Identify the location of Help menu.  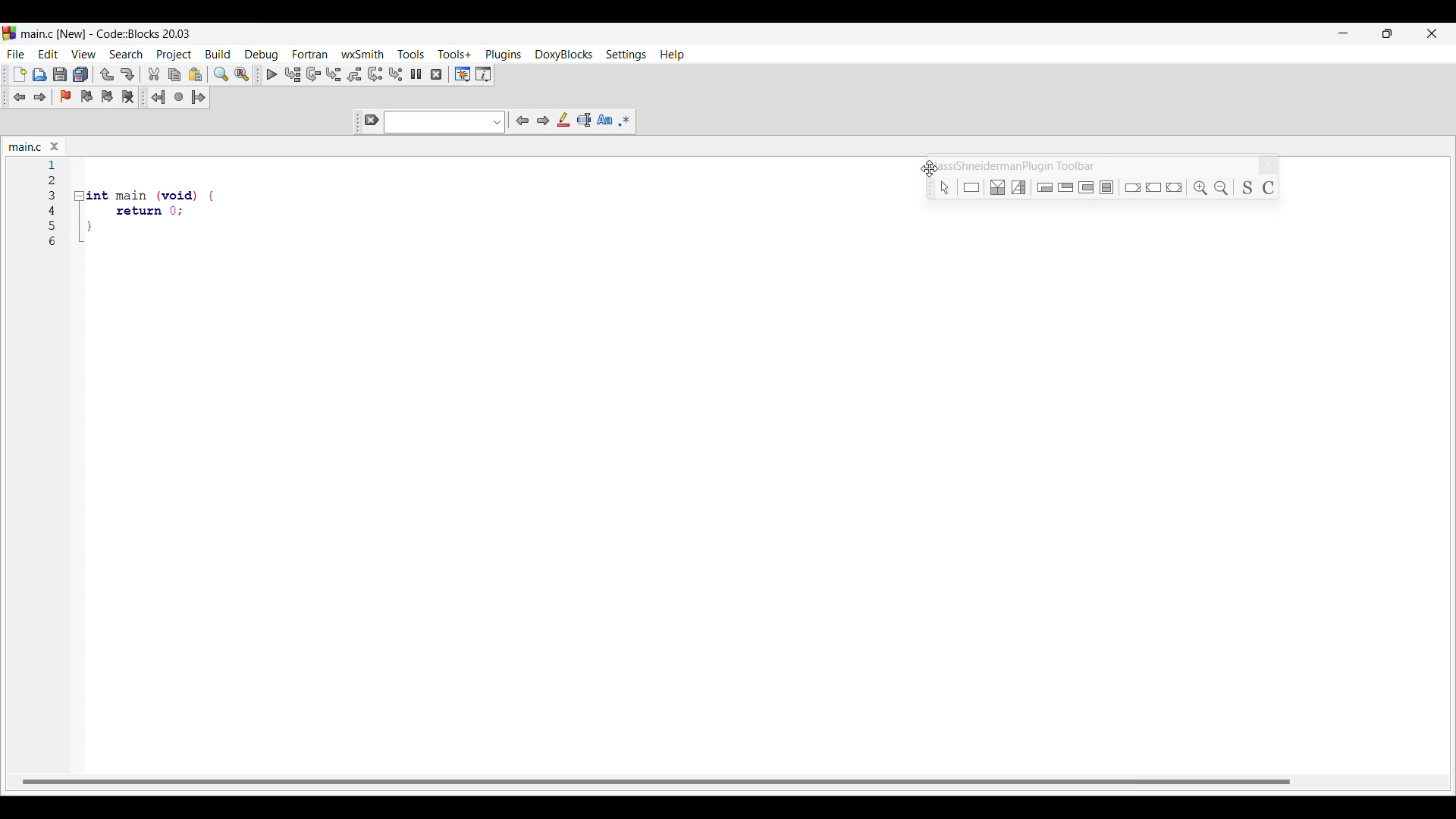
(672, 55).